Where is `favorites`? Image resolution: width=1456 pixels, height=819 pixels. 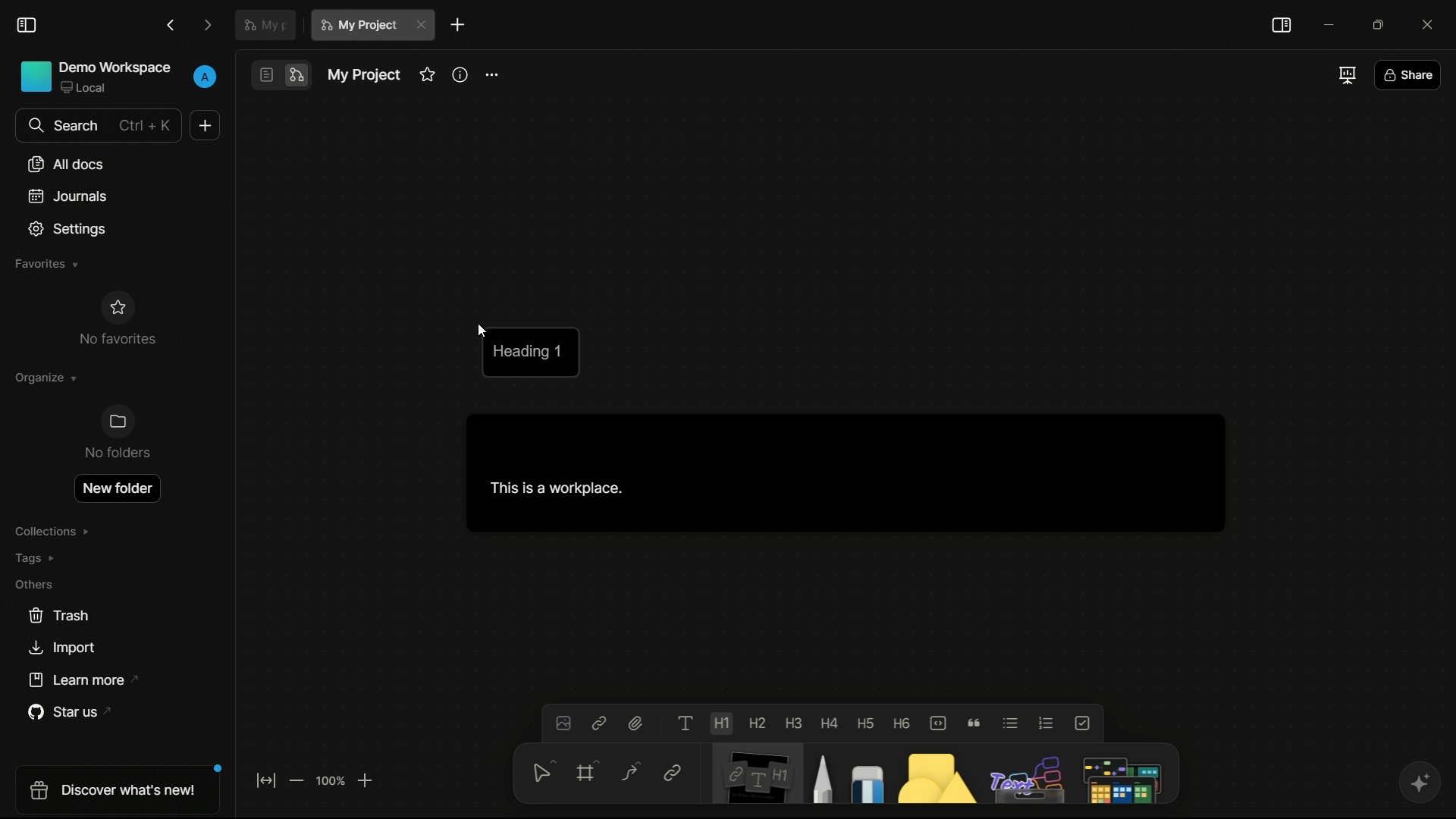
favorites is located at coordinates (47, 262).